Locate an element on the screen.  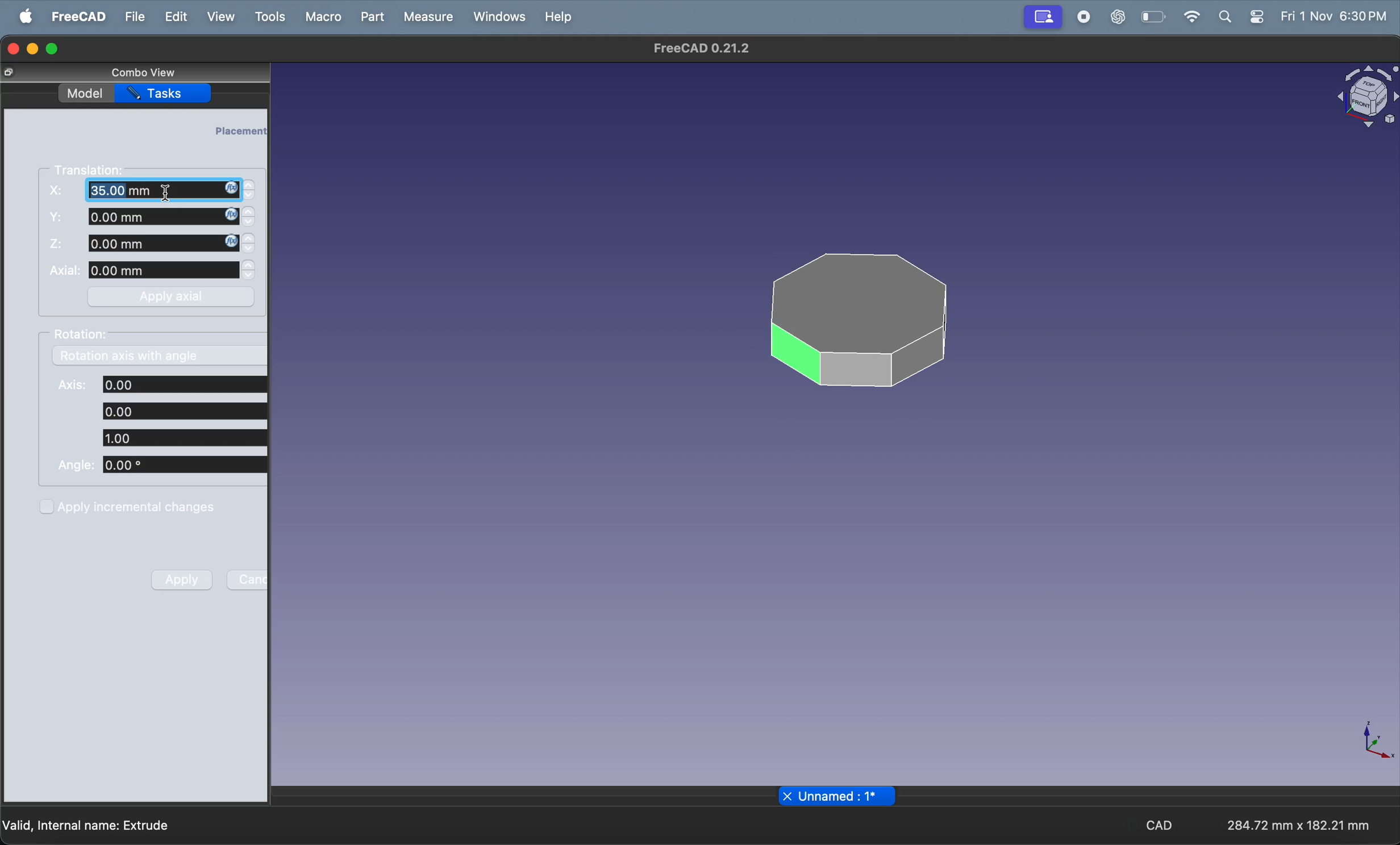
Angle: 0.00 ° is located at coordinates (160, 466).